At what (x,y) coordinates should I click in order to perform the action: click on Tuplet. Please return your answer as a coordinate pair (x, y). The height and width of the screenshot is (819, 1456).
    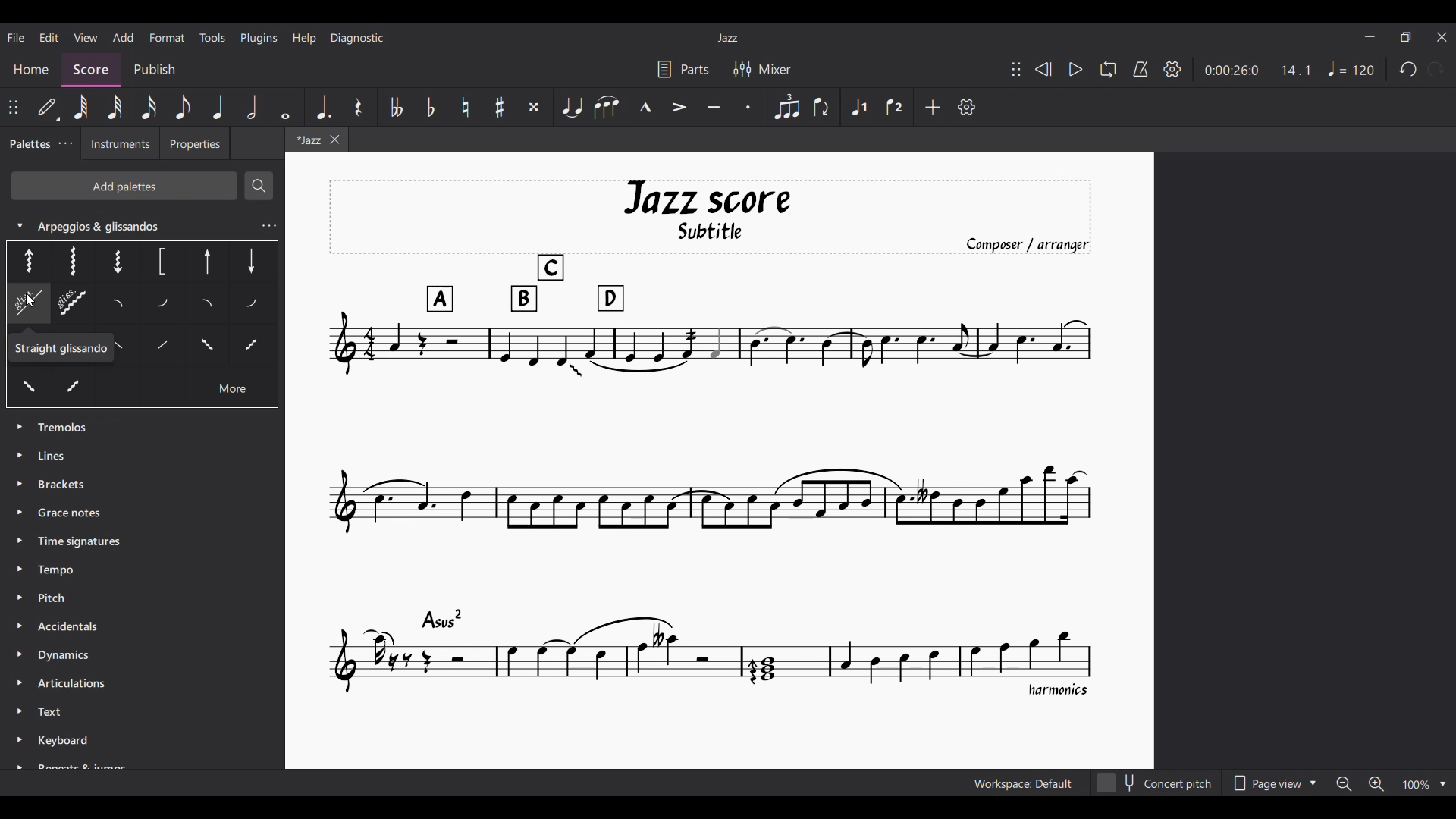
    Looking at the image, I should click on (787, 108).